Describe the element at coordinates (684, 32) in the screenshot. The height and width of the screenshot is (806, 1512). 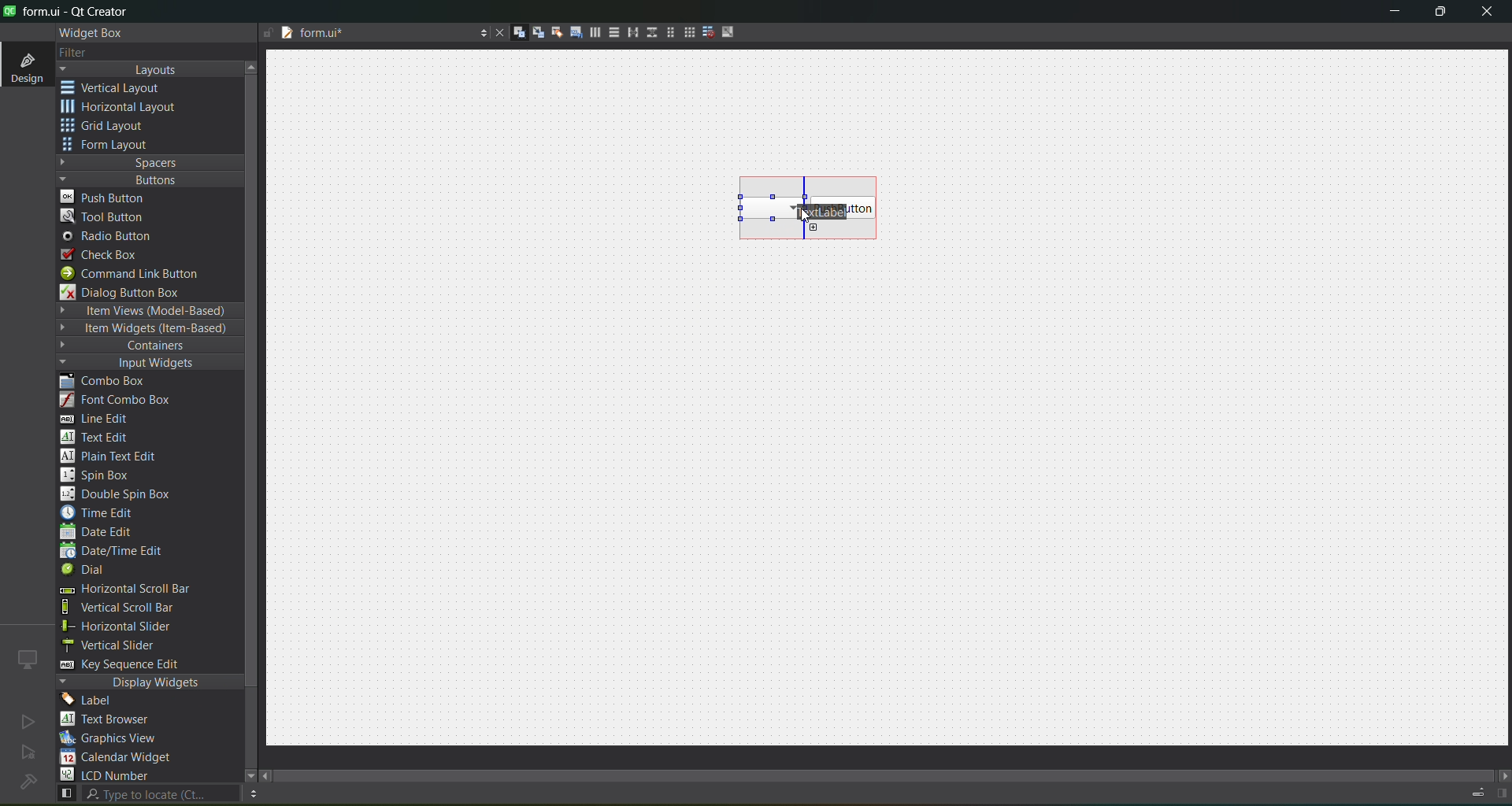
I see `layout in a grid` at that location.